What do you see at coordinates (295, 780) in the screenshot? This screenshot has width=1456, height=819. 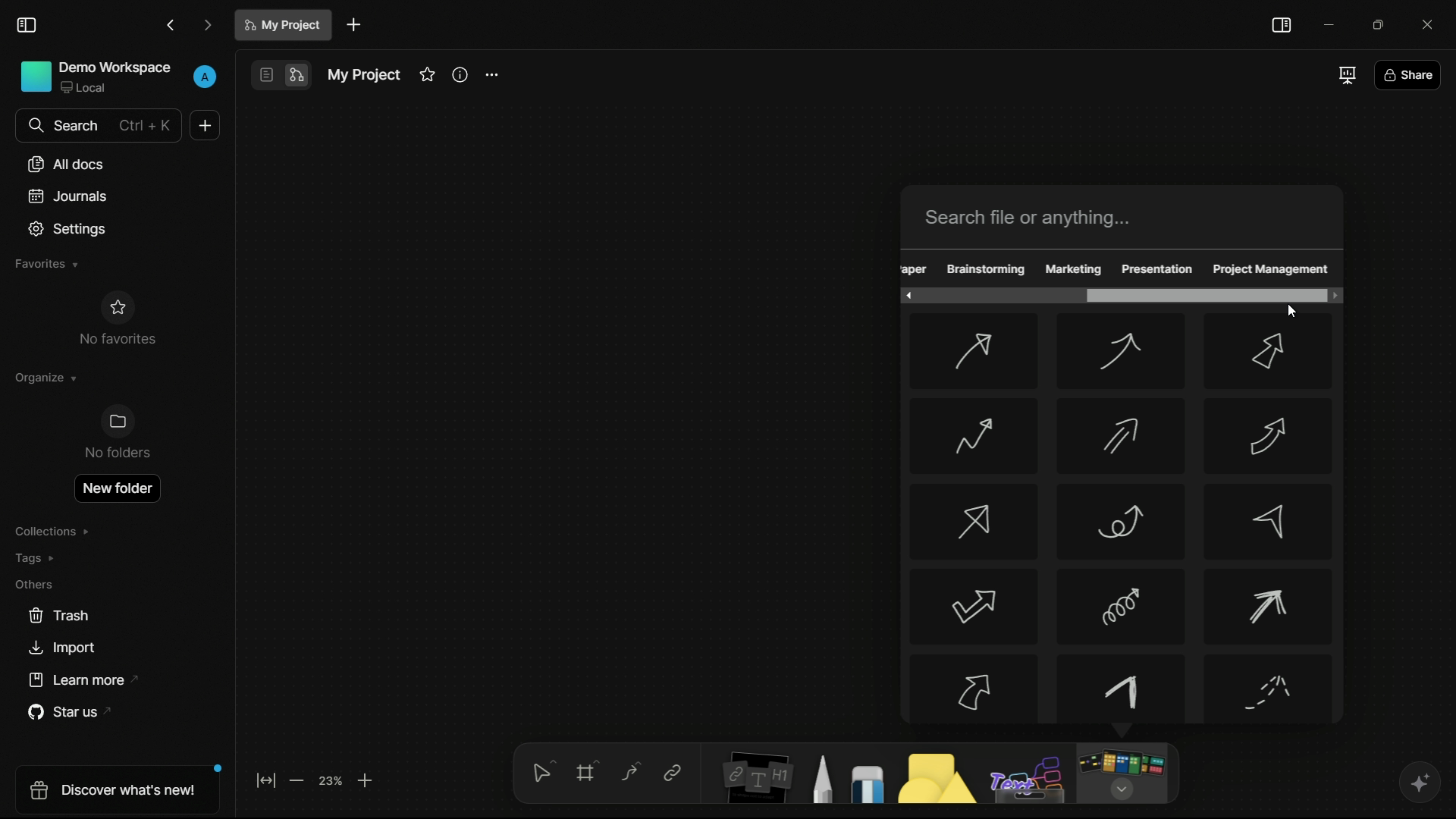 I see `zoom out` at bounding box center [295, 780].